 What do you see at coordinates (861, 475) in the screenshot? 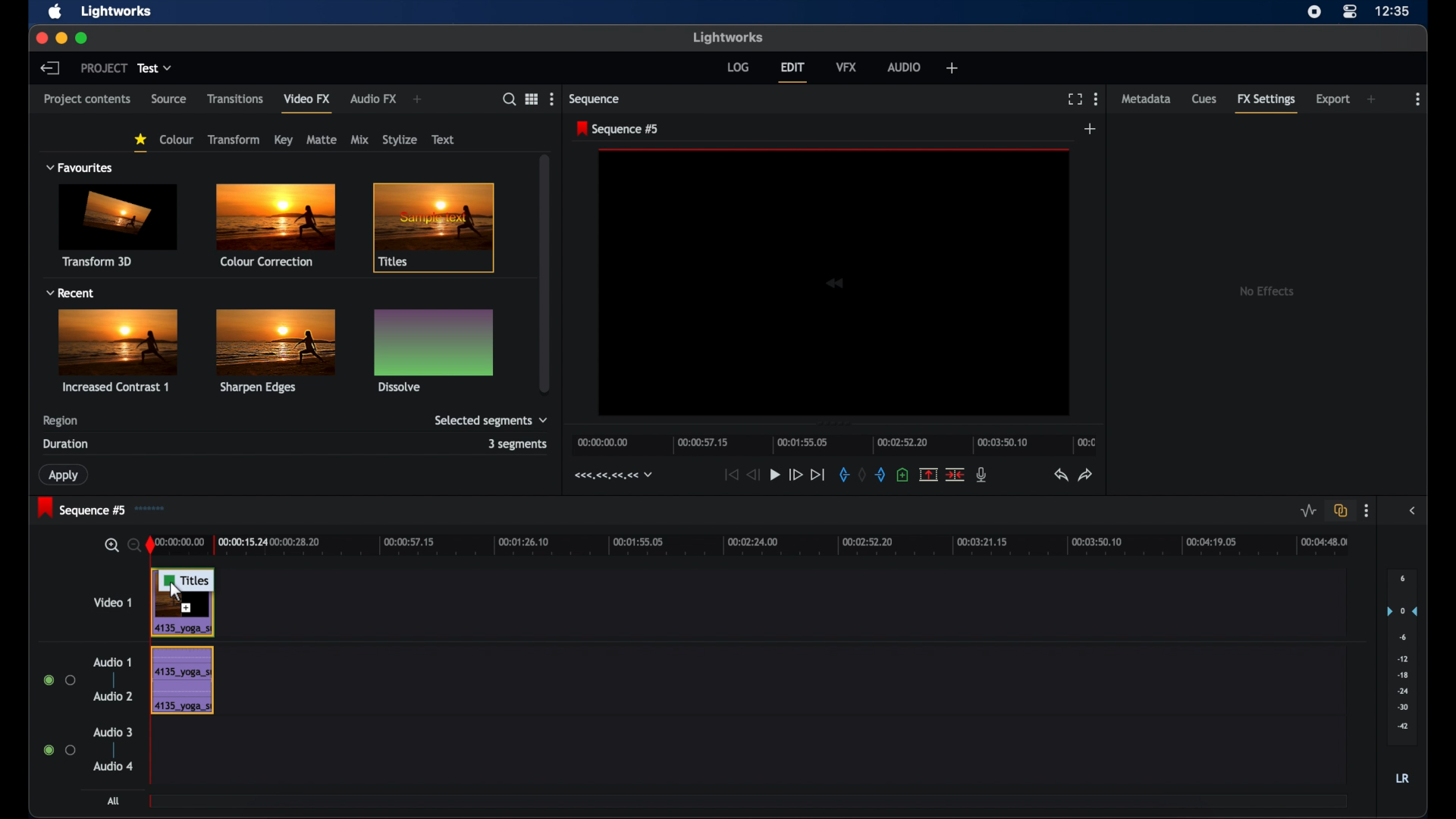
I see `remove markers` at bounding box center [861, 475].